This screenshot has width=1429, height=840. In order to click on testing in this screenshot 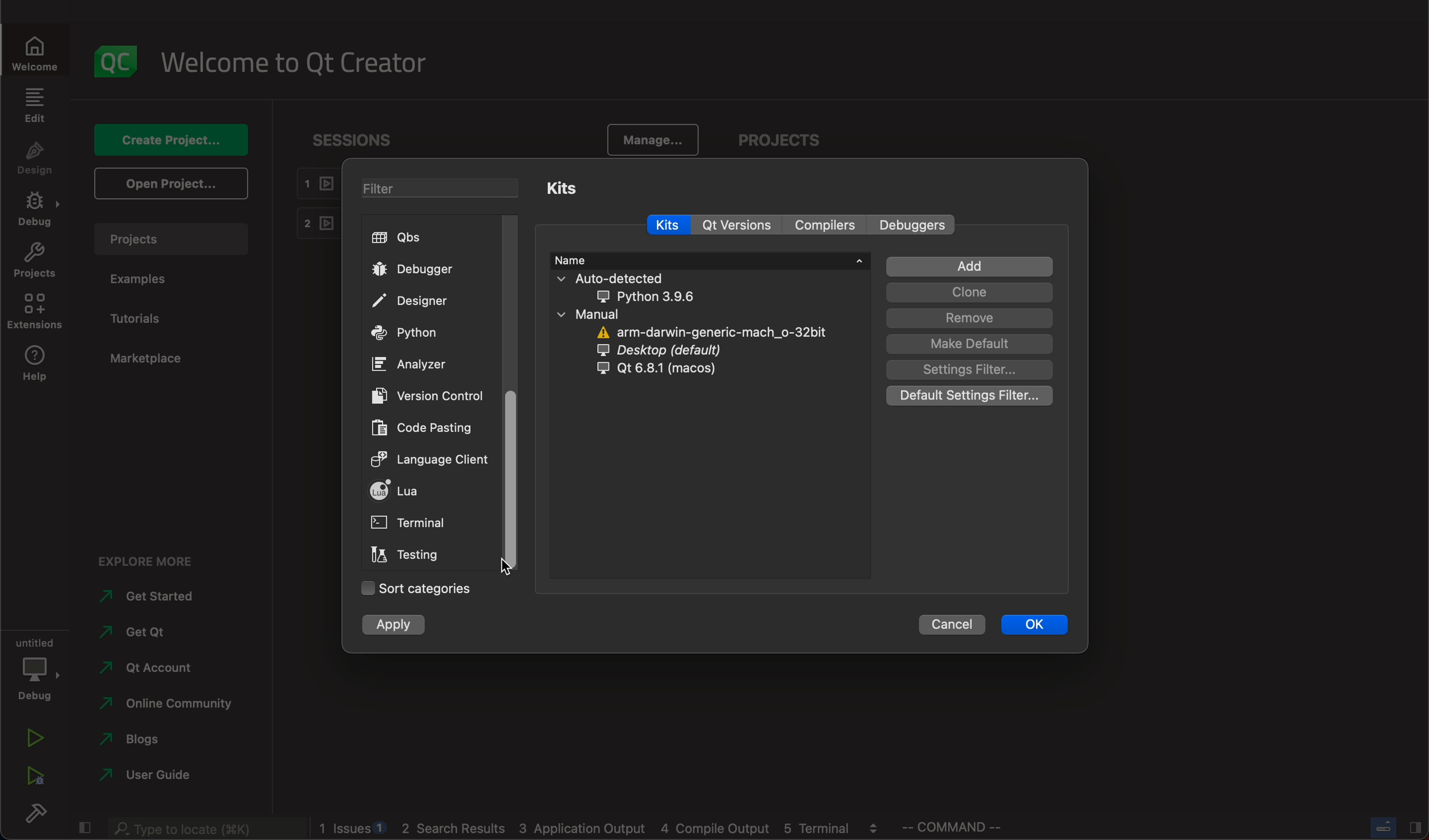, I will do `click(407, 554)`.